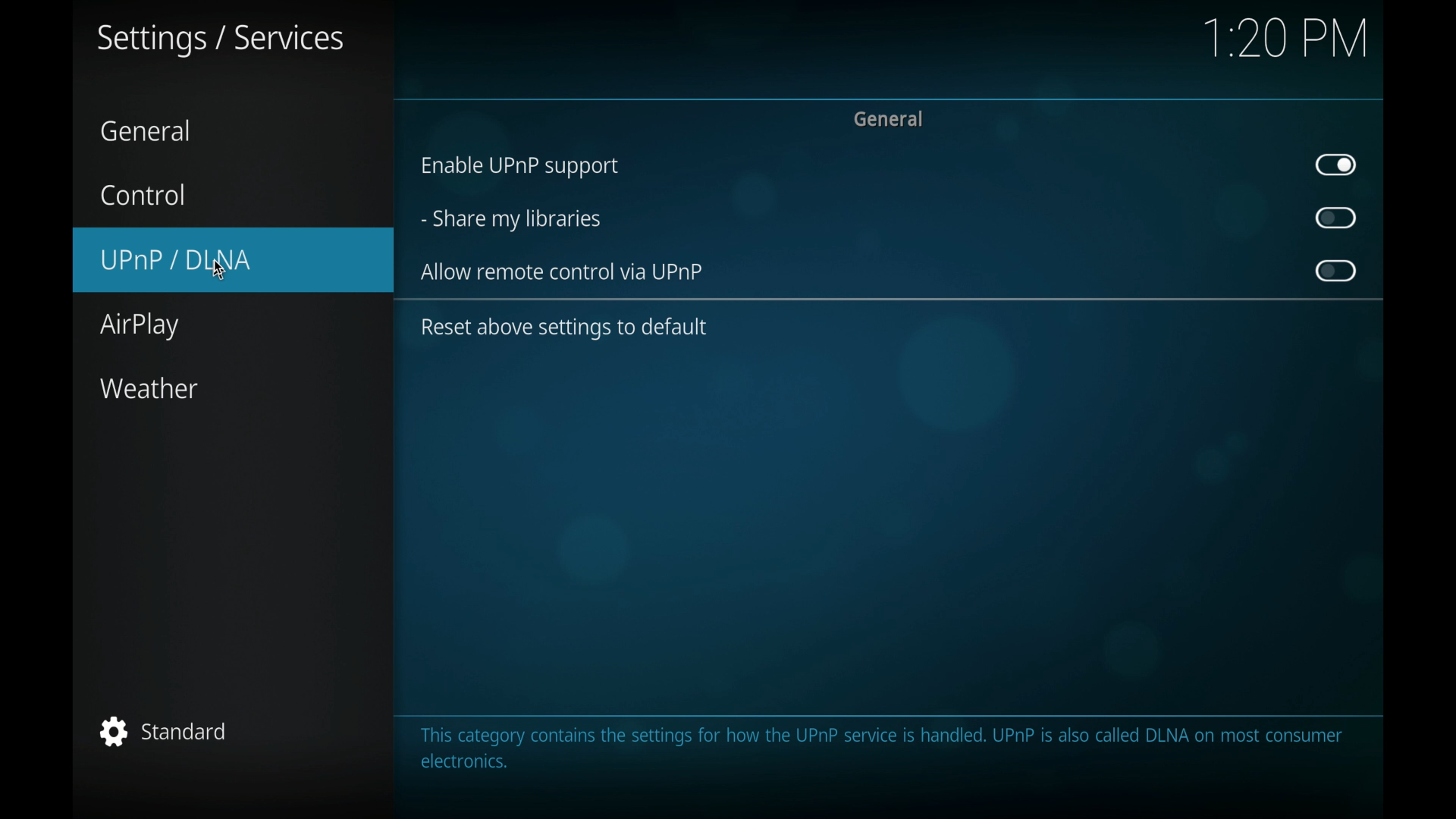 This screenshot has height=819, width=1456. What do you see at coordinates (1336, 165) in the screenshot?
I see `toggle button` at bounding box center [1336, 165].